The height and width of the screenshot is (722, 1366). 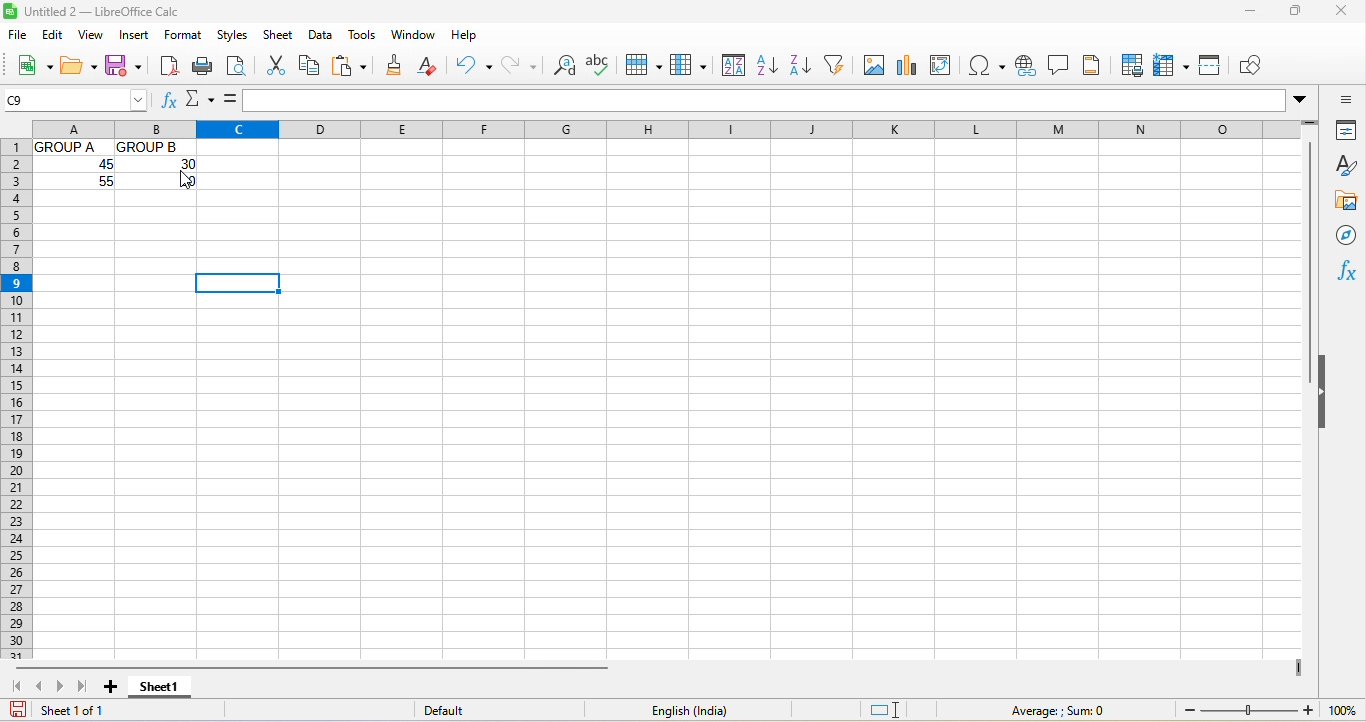 What do you see at coordinates (1098, 64) in the screenshot?
I see `header and footers` at bounding box center [1098, 64].